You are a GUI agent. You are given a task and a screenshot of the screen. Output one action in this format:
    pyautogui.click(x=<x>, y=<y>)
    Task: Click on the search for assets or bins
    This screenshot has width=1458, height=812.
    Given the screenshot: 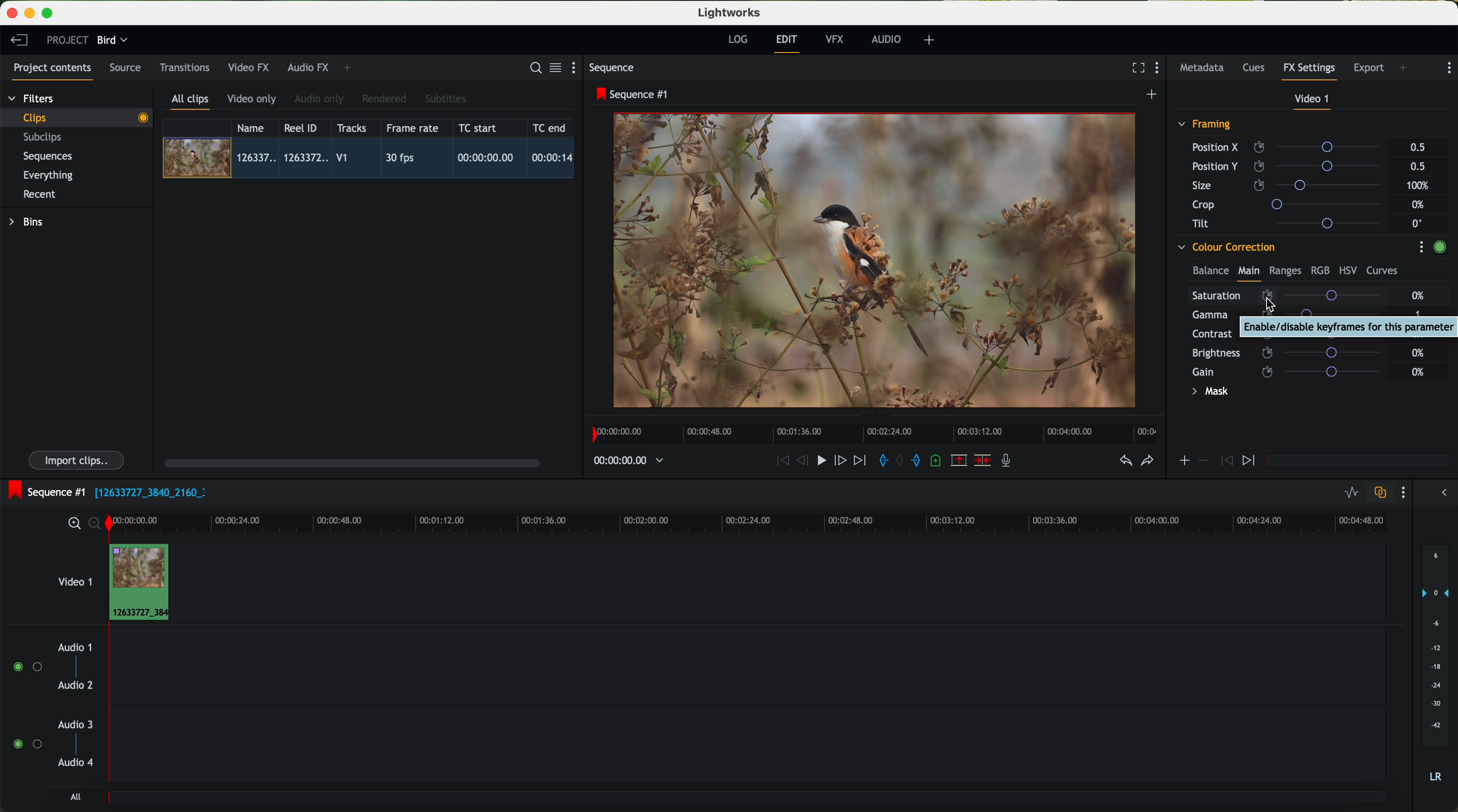 What is the action you would take?
    pyautogui.click(x=532, y=68)
    